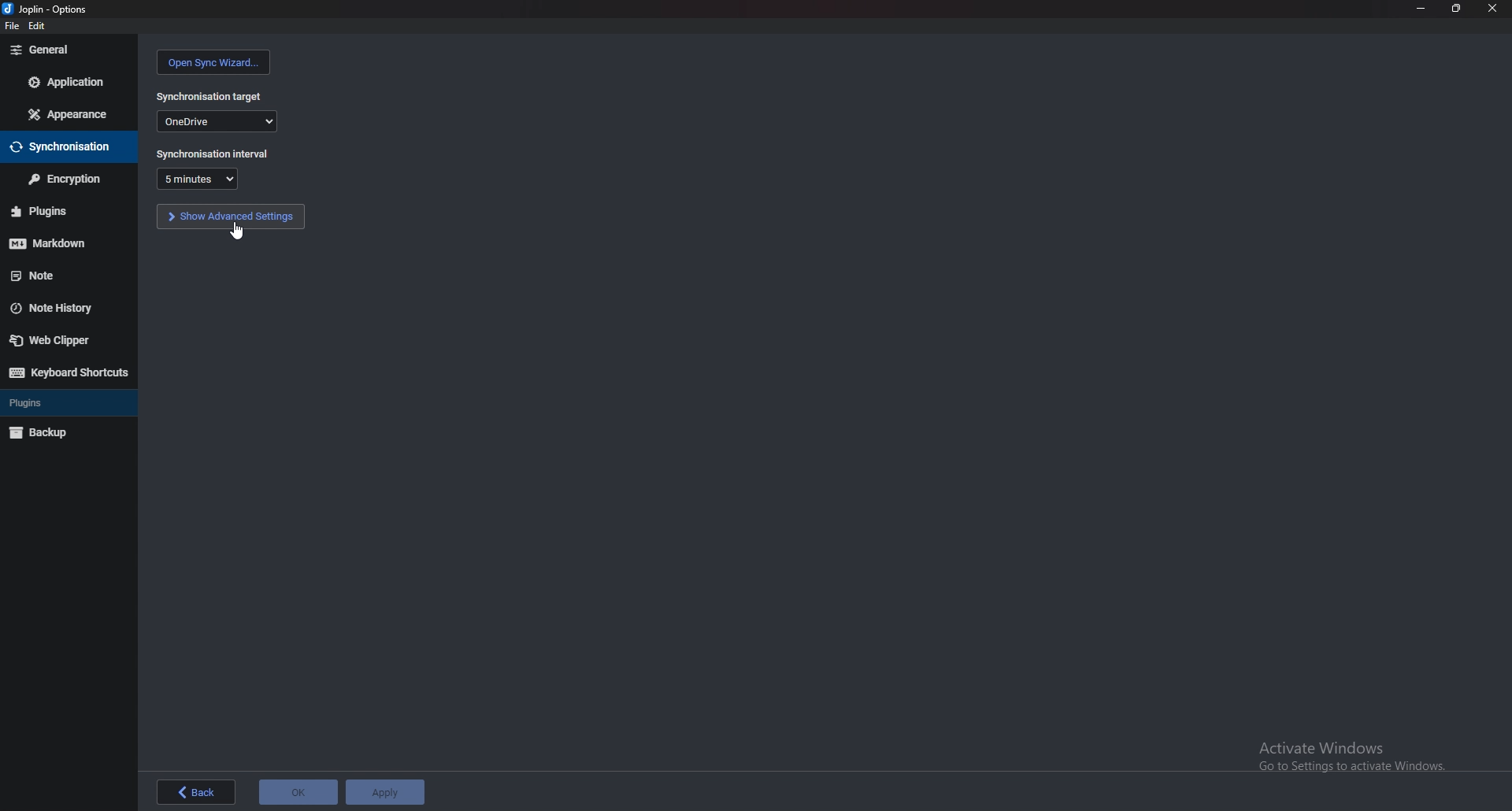 The image size is (1512, 811). What do you see at coordinates (385, 790) in the screenshot?
I see `apply` at bounding box center [385, 790].